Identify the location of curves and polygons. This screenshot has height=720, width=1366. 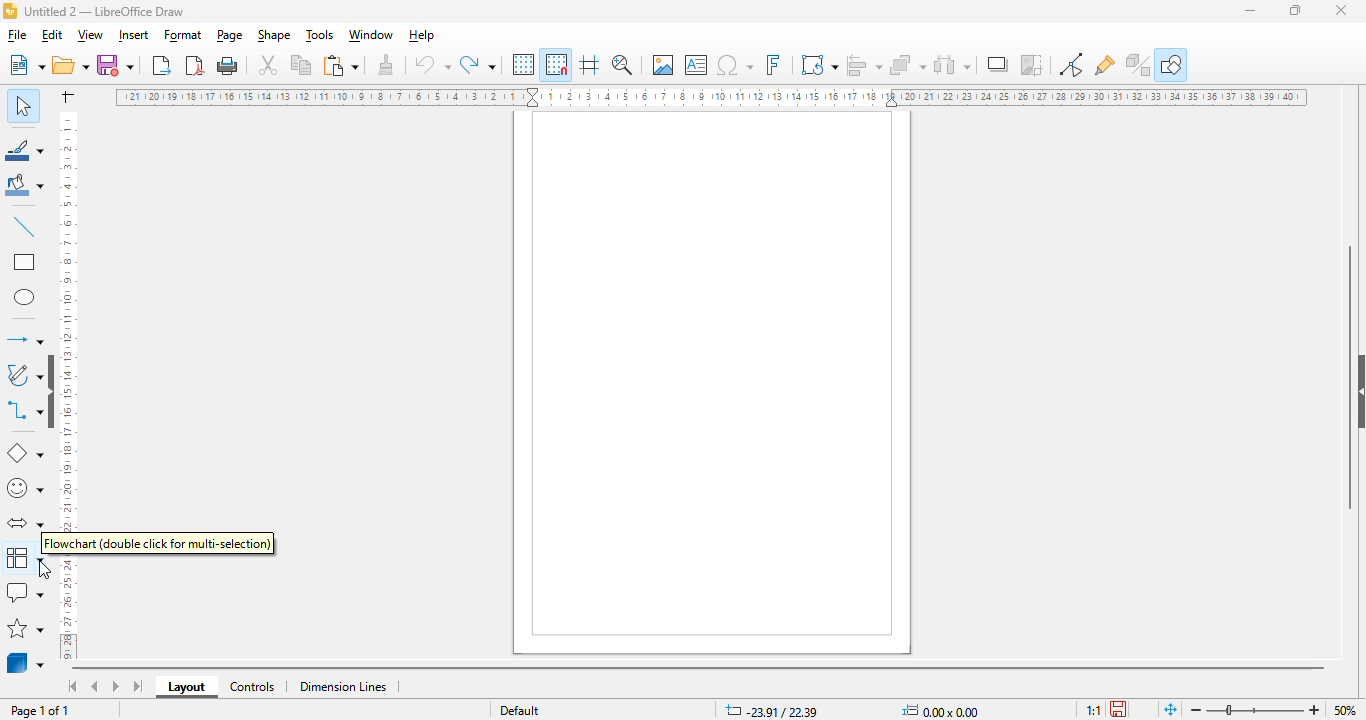
(25, 372).